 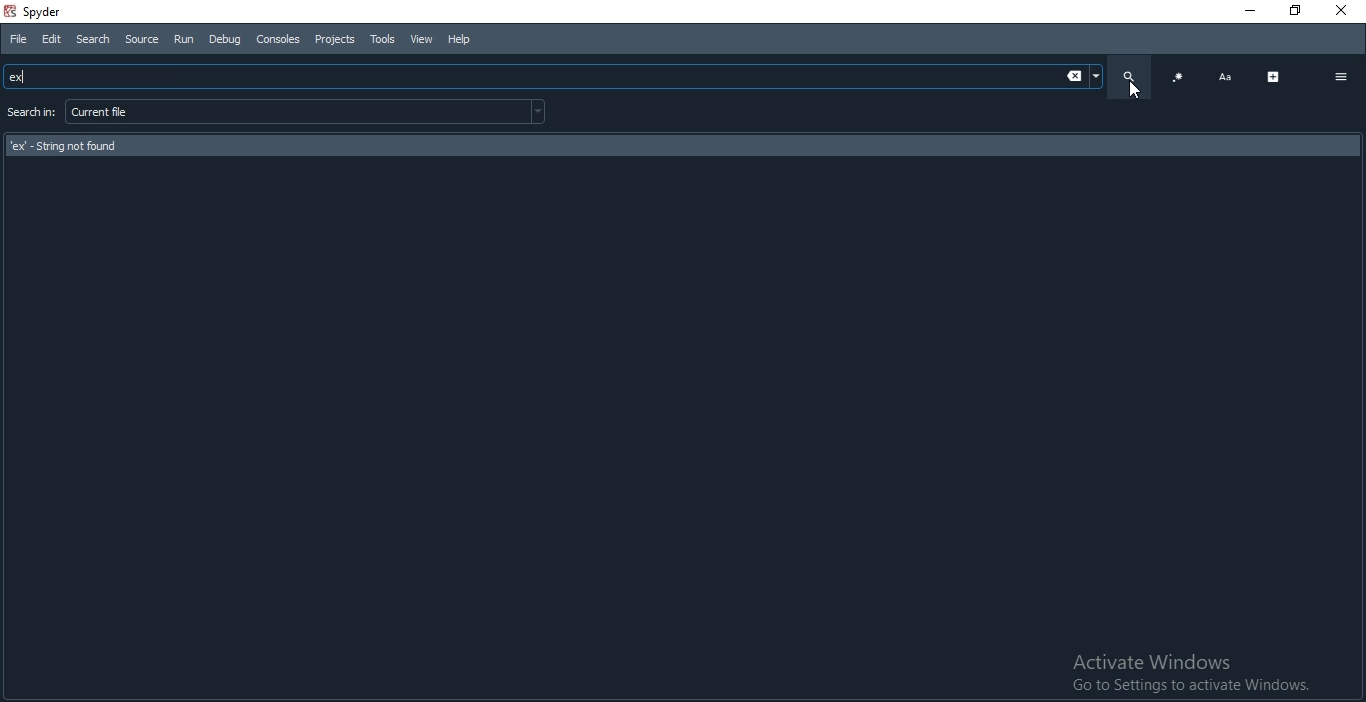 What do you see at coordinates (222, 39) in the screenshot?
I see `Debug` at bounding box center [222, 39].